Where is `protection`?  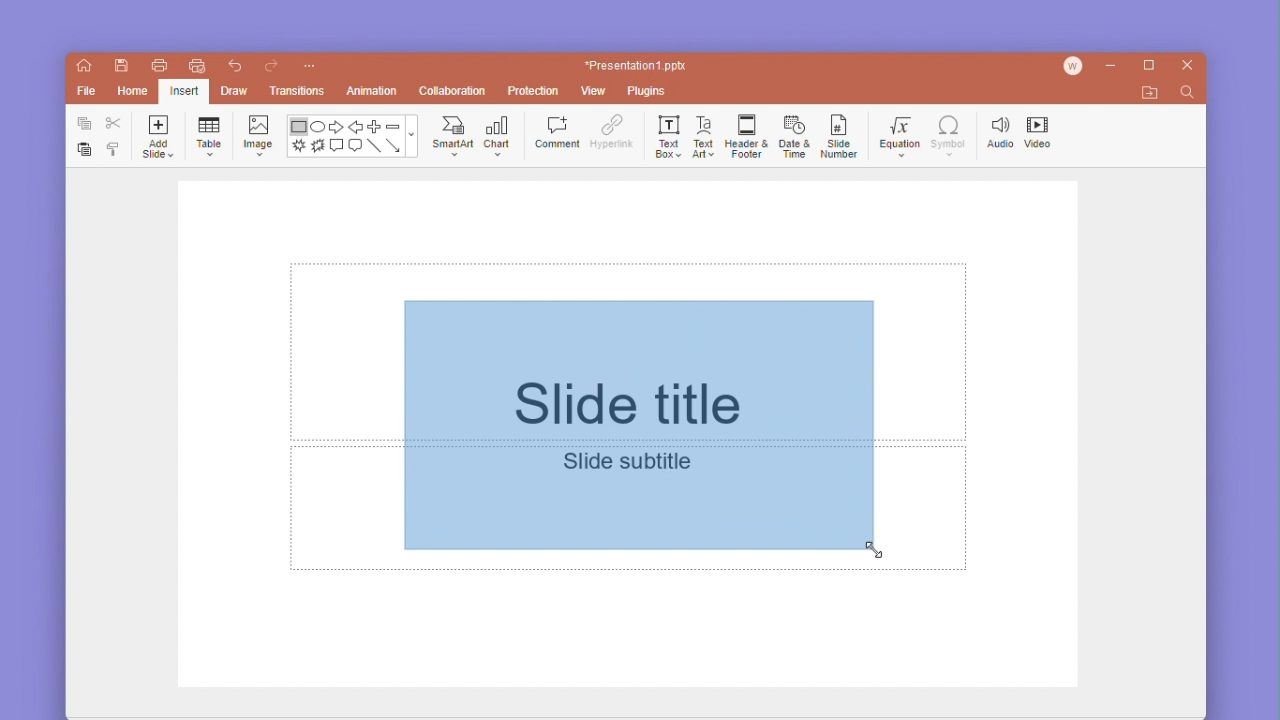 protection is located at coordinates (530, 91).